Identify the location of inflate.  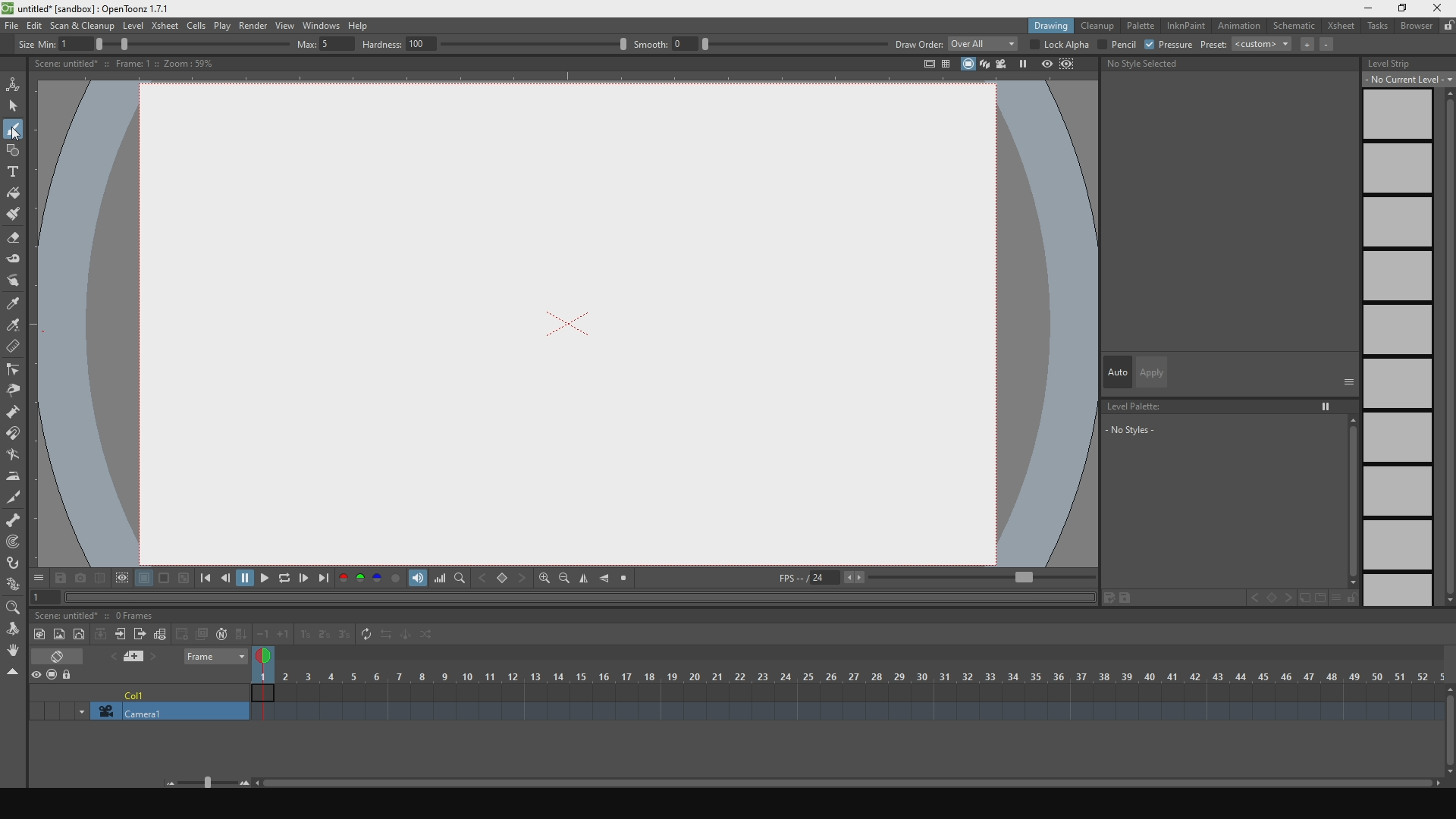
(17, 411).